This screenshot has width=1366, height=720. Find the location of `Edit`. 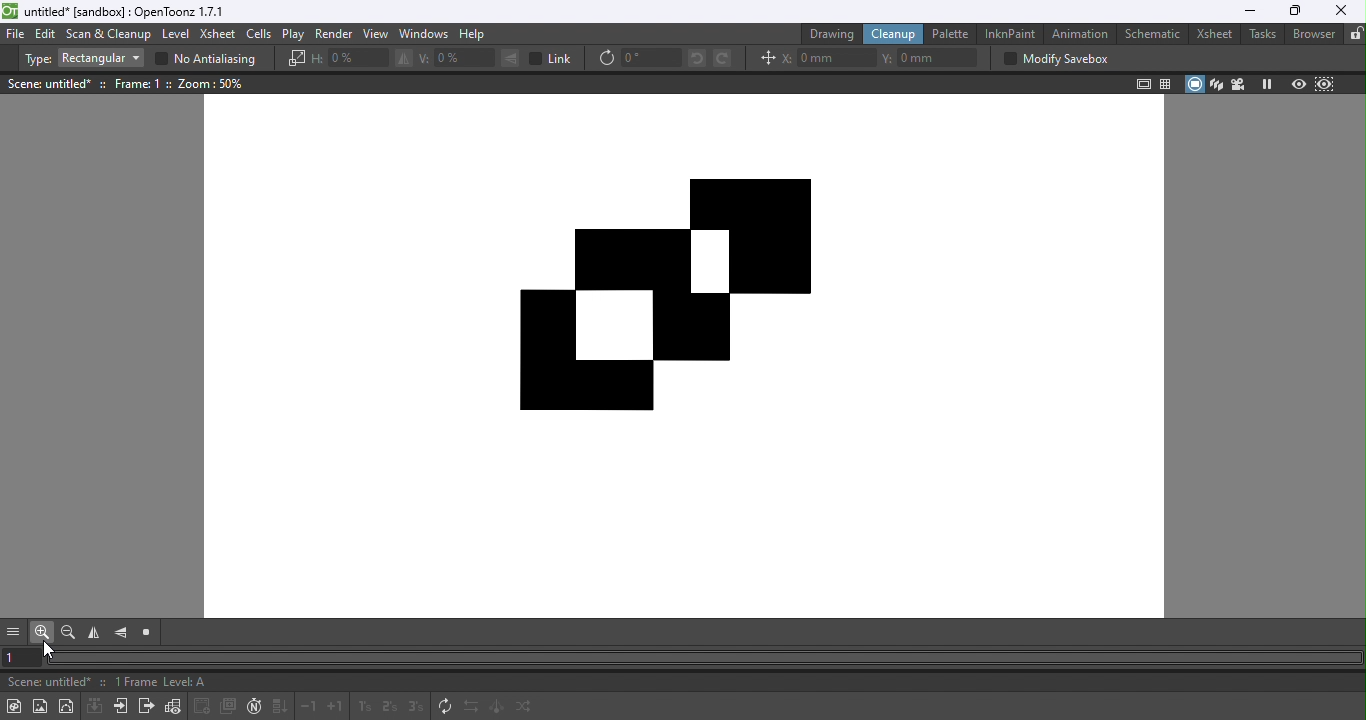

Edit is located at coordinates (47, 35).